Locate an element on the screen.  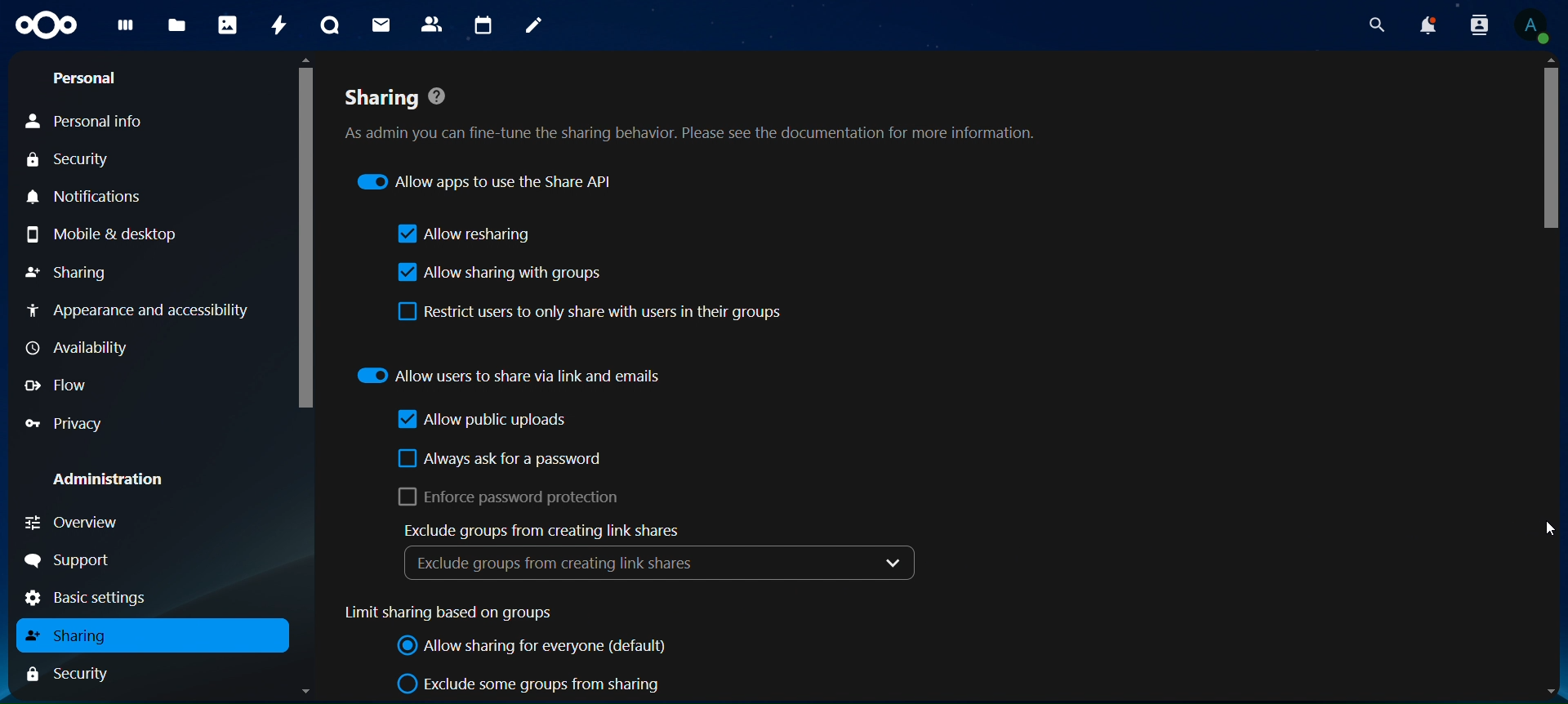
talk is located at coordinates (333, 25).